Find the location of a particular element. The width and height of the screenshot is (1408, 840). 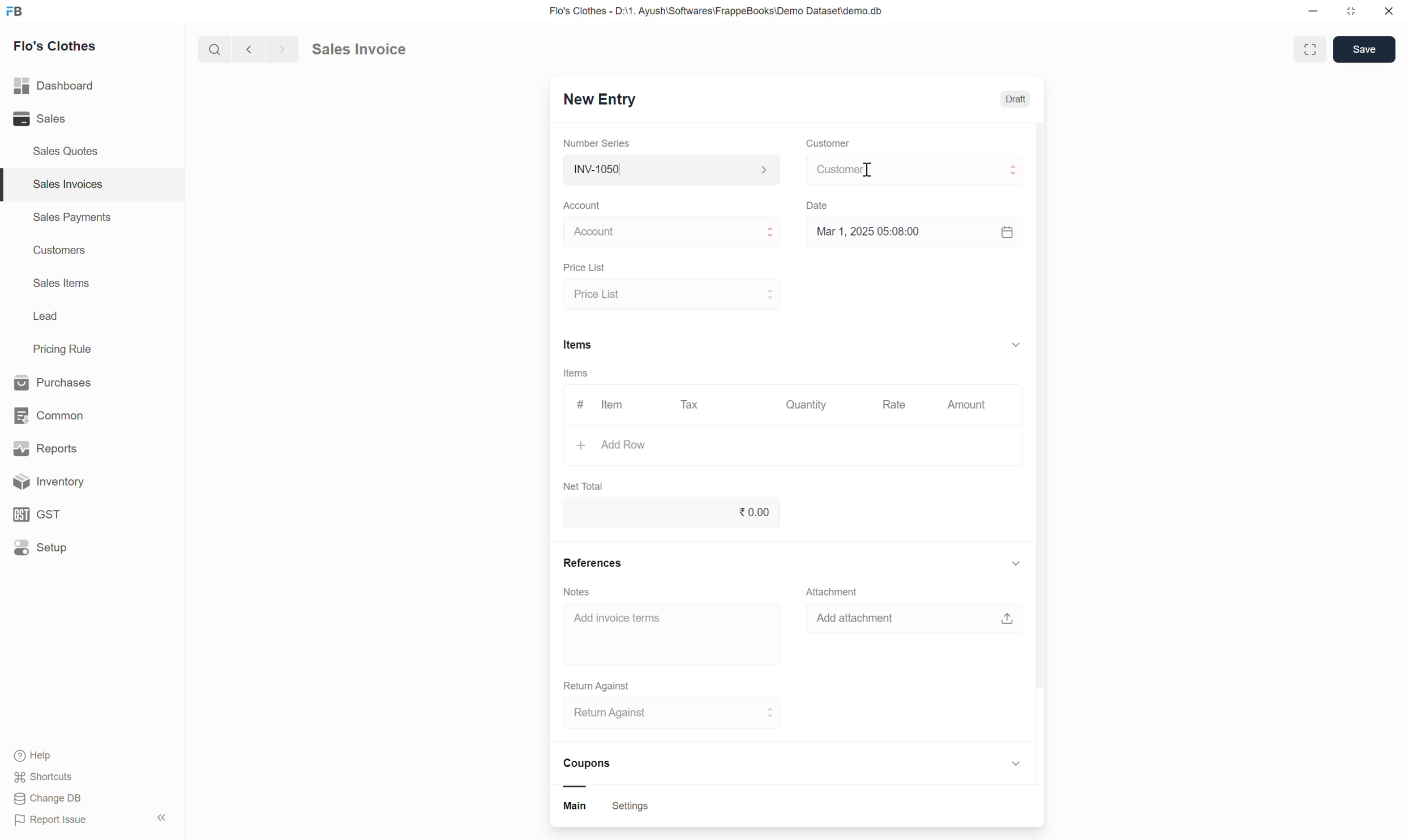

Lead is located at coordinates (45, 318).